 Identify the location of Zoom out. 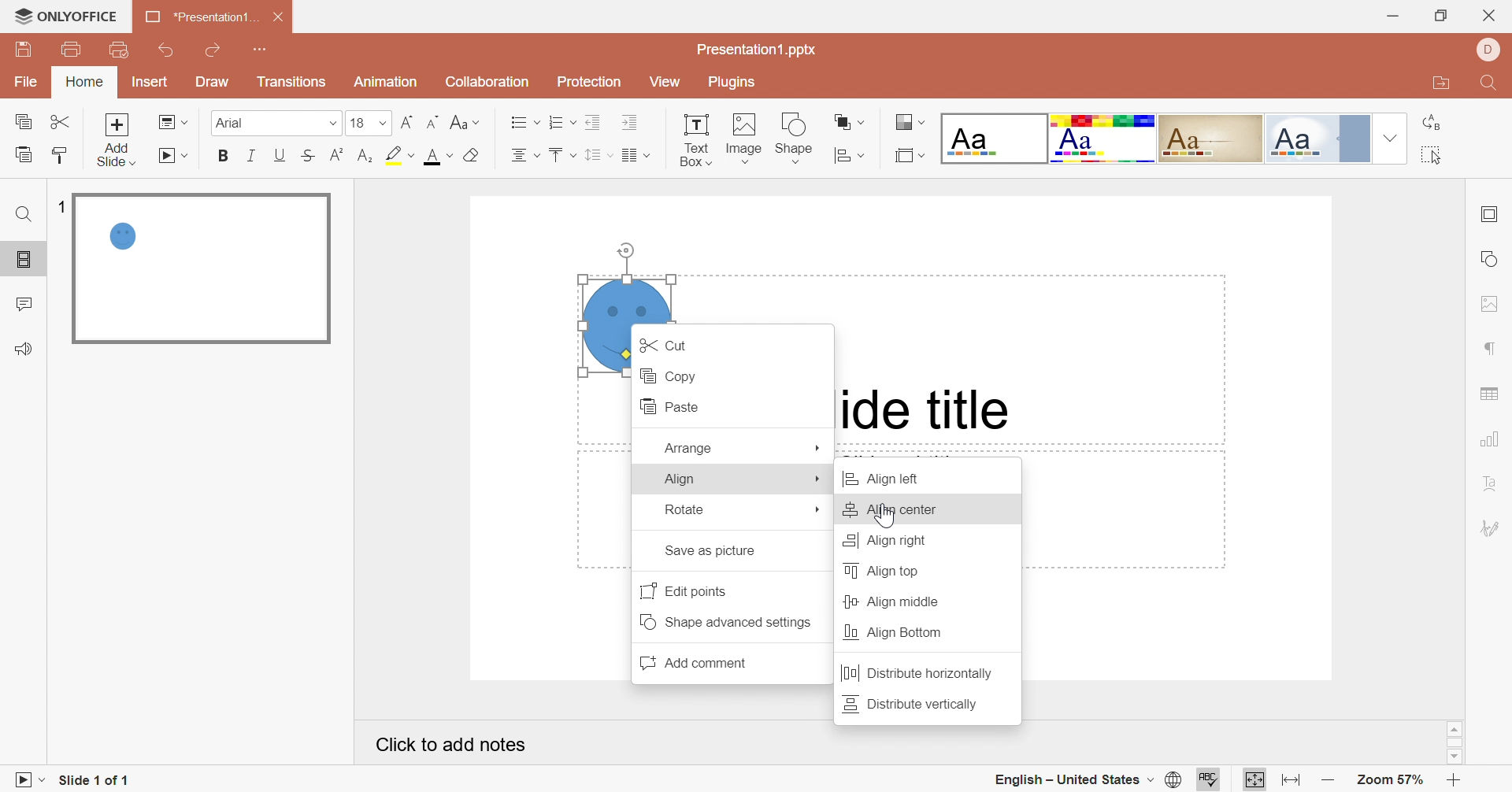
(1329, 781).